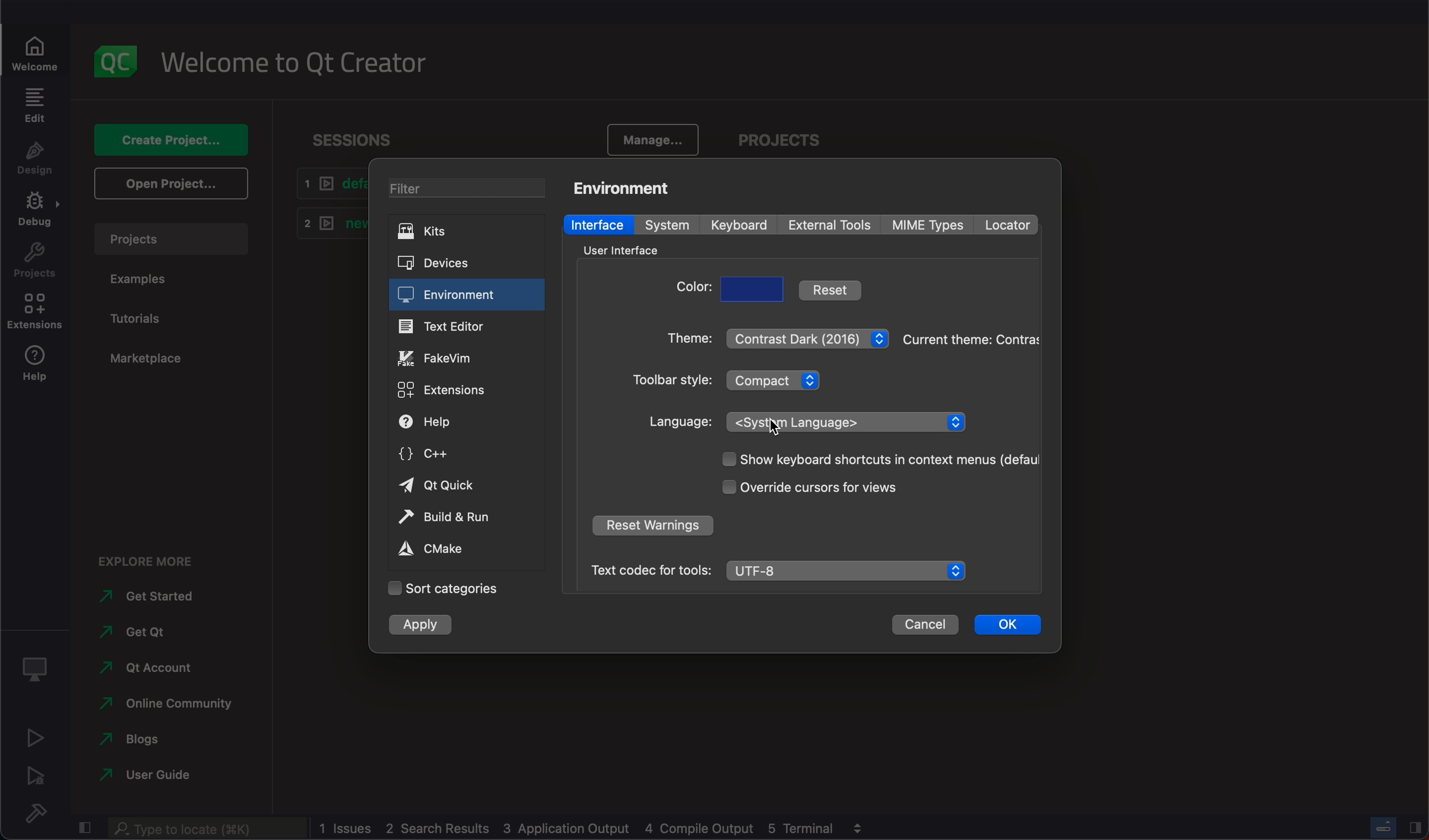 The image size is (1429, 840). I want to click on language, so click(679, 422).